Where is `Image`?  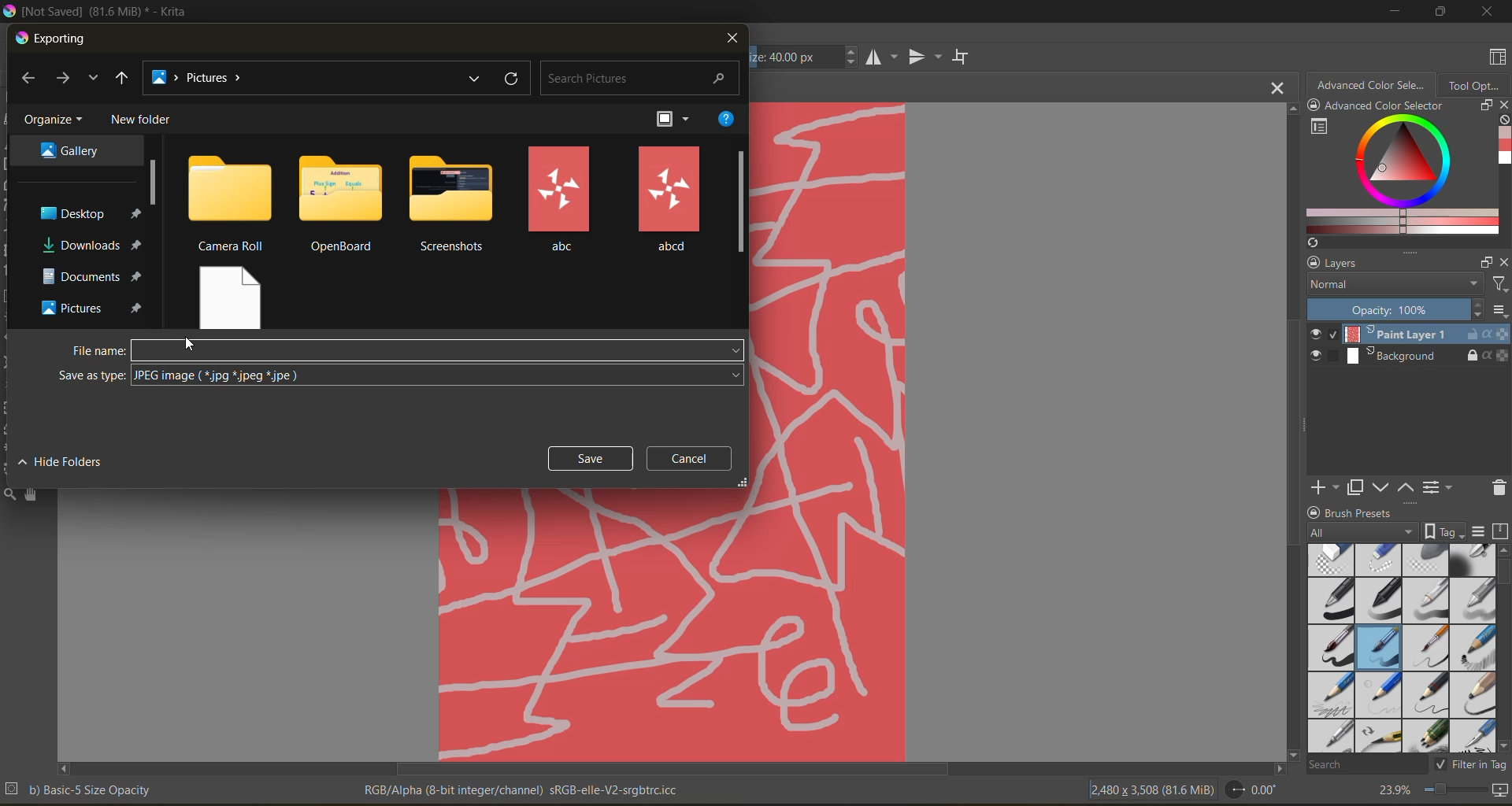
Image is located at coordinates (828, 430).